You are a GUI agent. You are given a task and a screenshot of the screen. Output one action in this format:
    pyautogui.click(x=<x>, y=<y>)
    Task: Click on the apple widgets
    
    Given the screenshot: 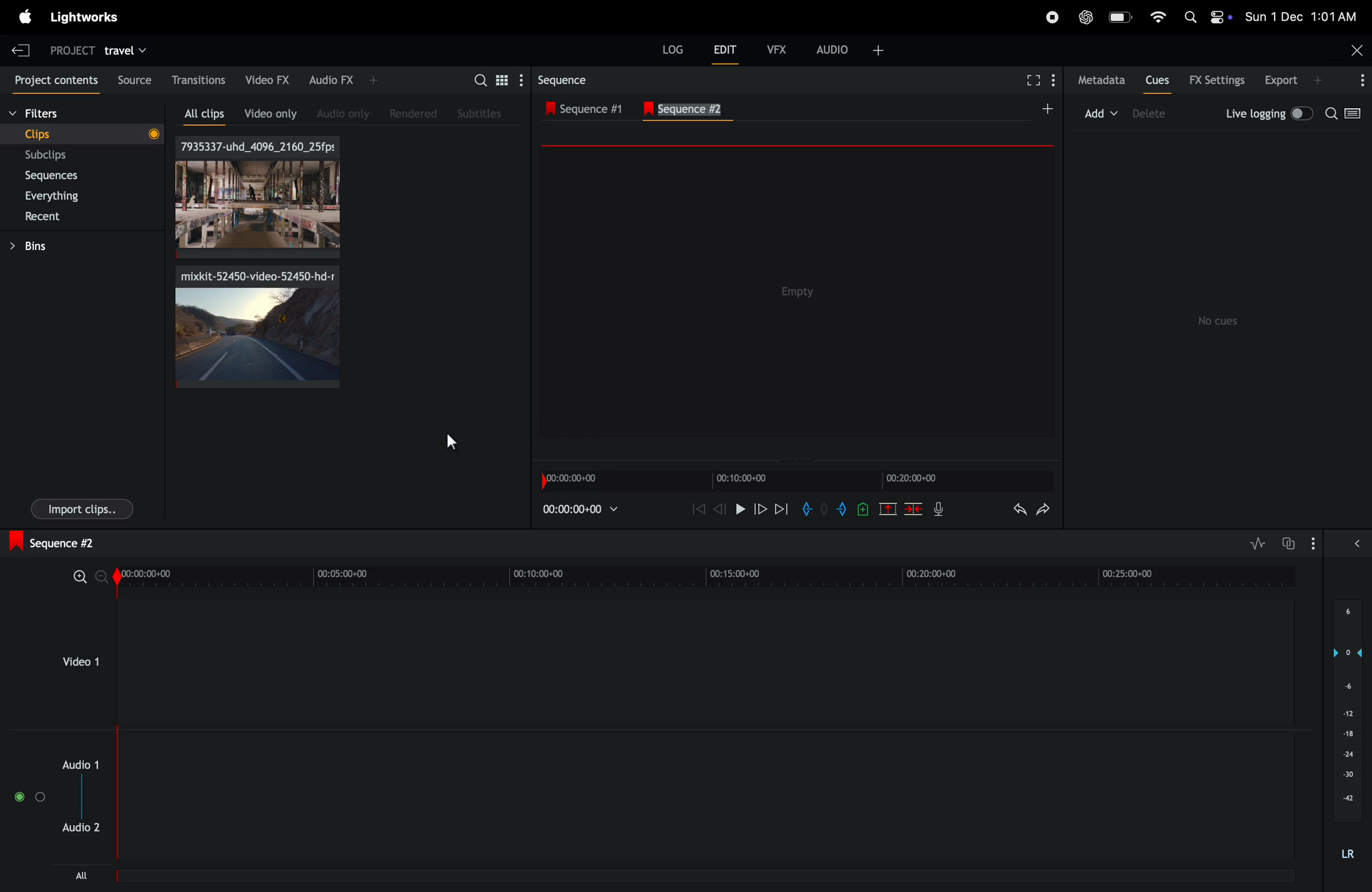 What is the action you would take?
    pyautogui.click(x=1203, y=18)
    